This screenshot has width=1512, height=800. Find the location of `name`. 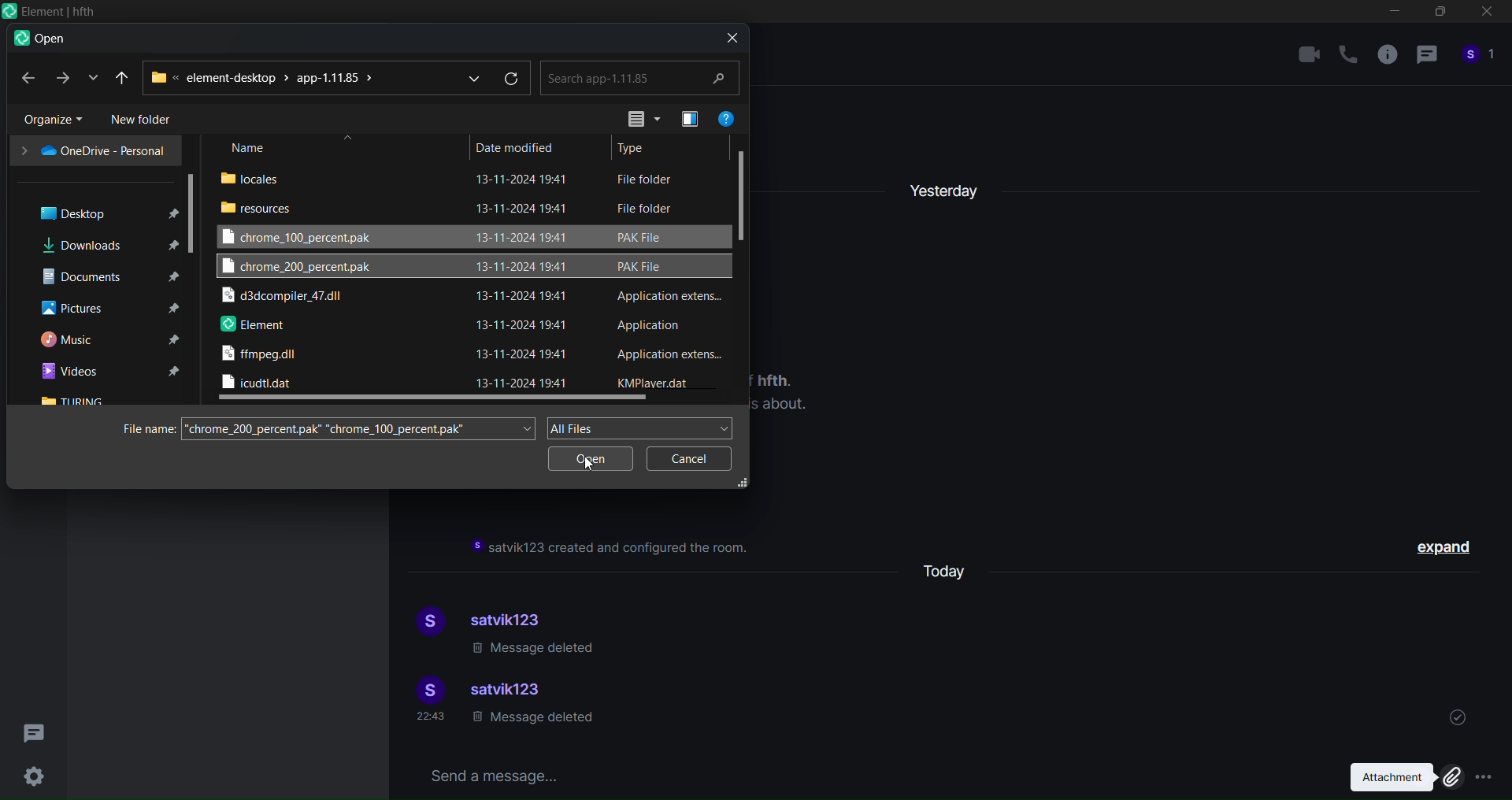

name is located at coordinates (250, 148).